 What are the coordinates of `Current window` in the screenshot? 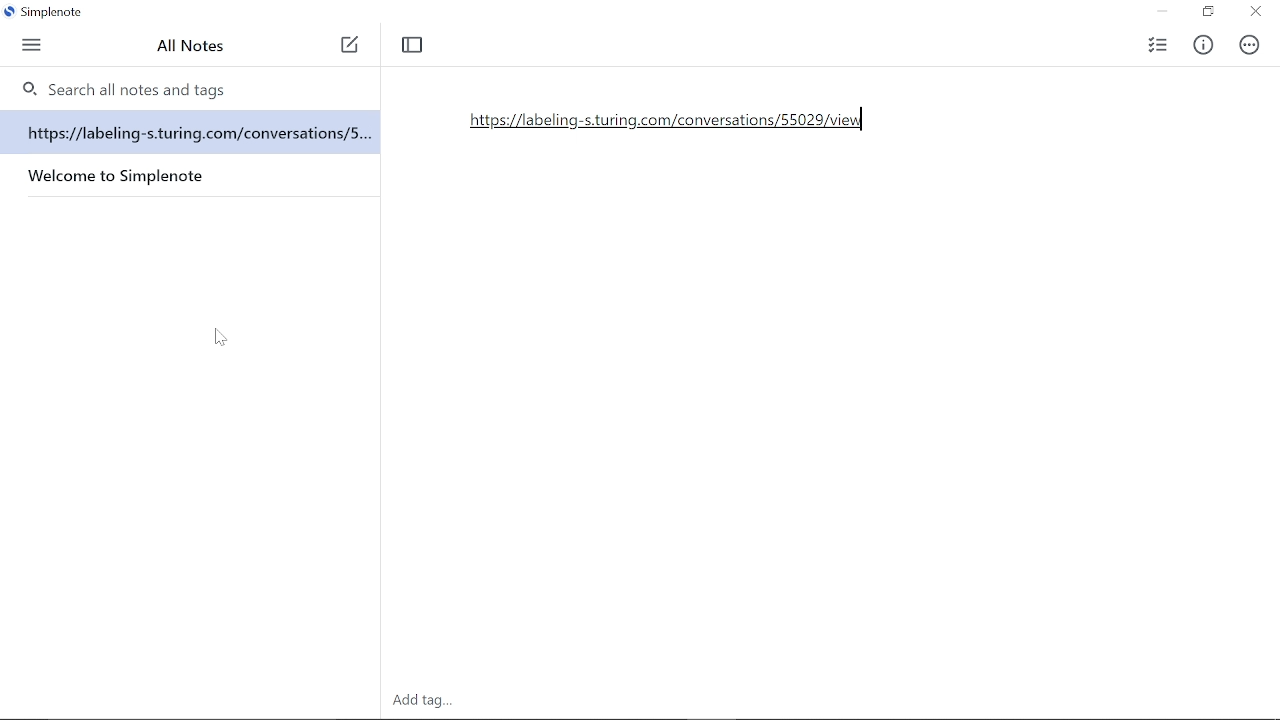 It's located at (41, 10).